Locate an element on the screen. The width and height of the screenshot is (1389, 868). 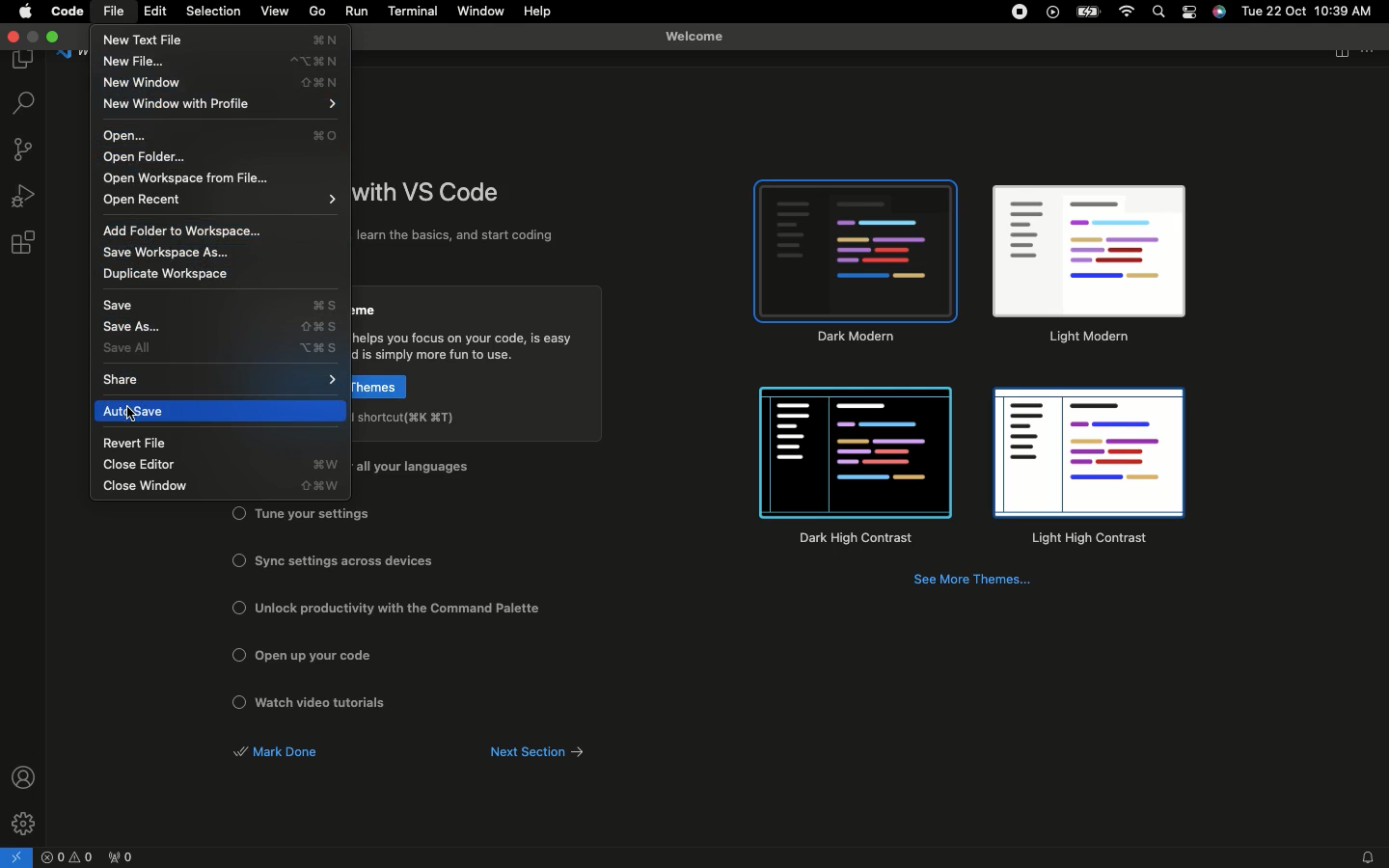
Light modem is located at coordinates (1088, 266).